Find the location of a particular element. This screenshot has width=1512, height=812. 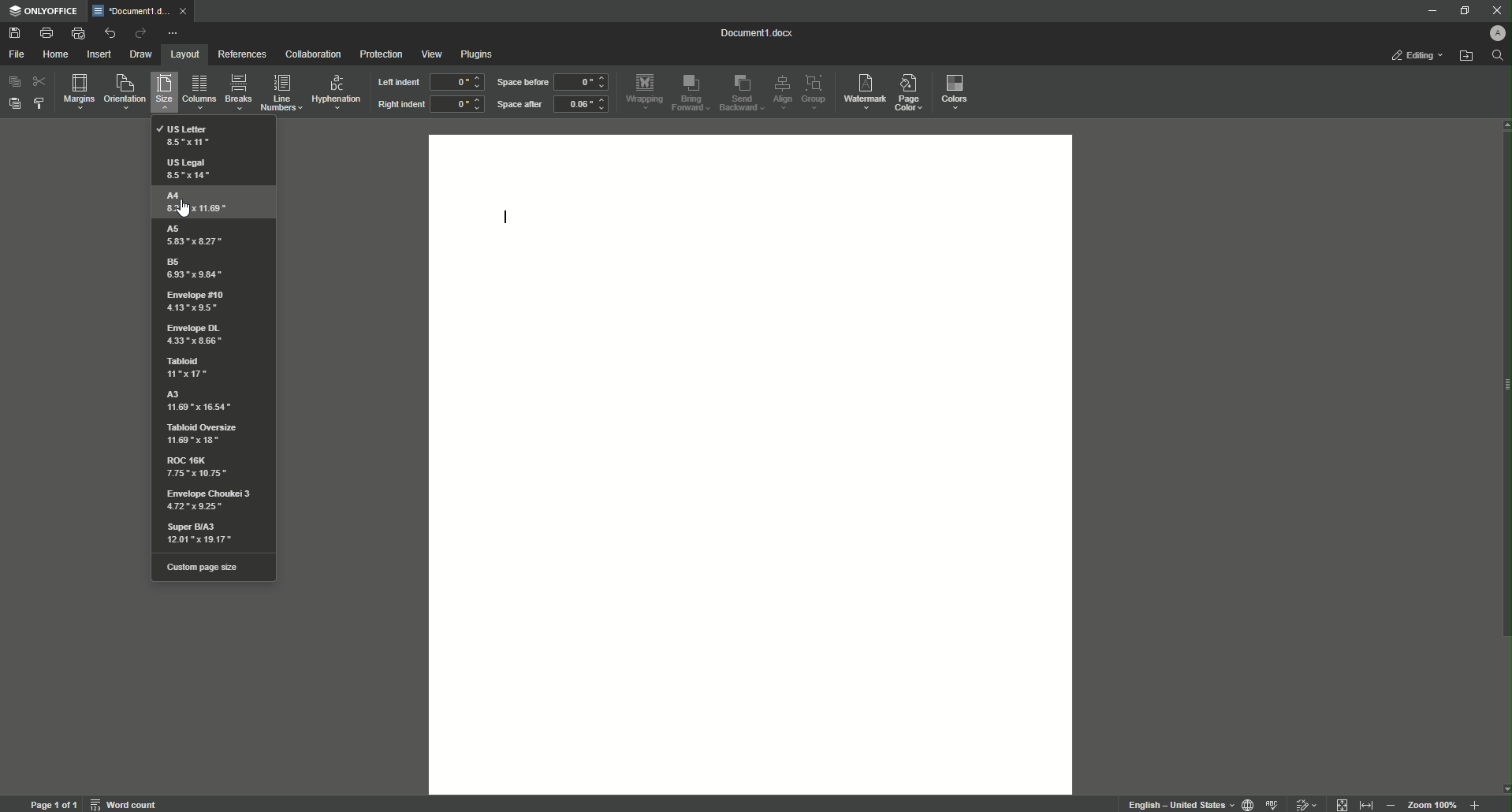

Zoom In is located at coordinates (1392, 803).